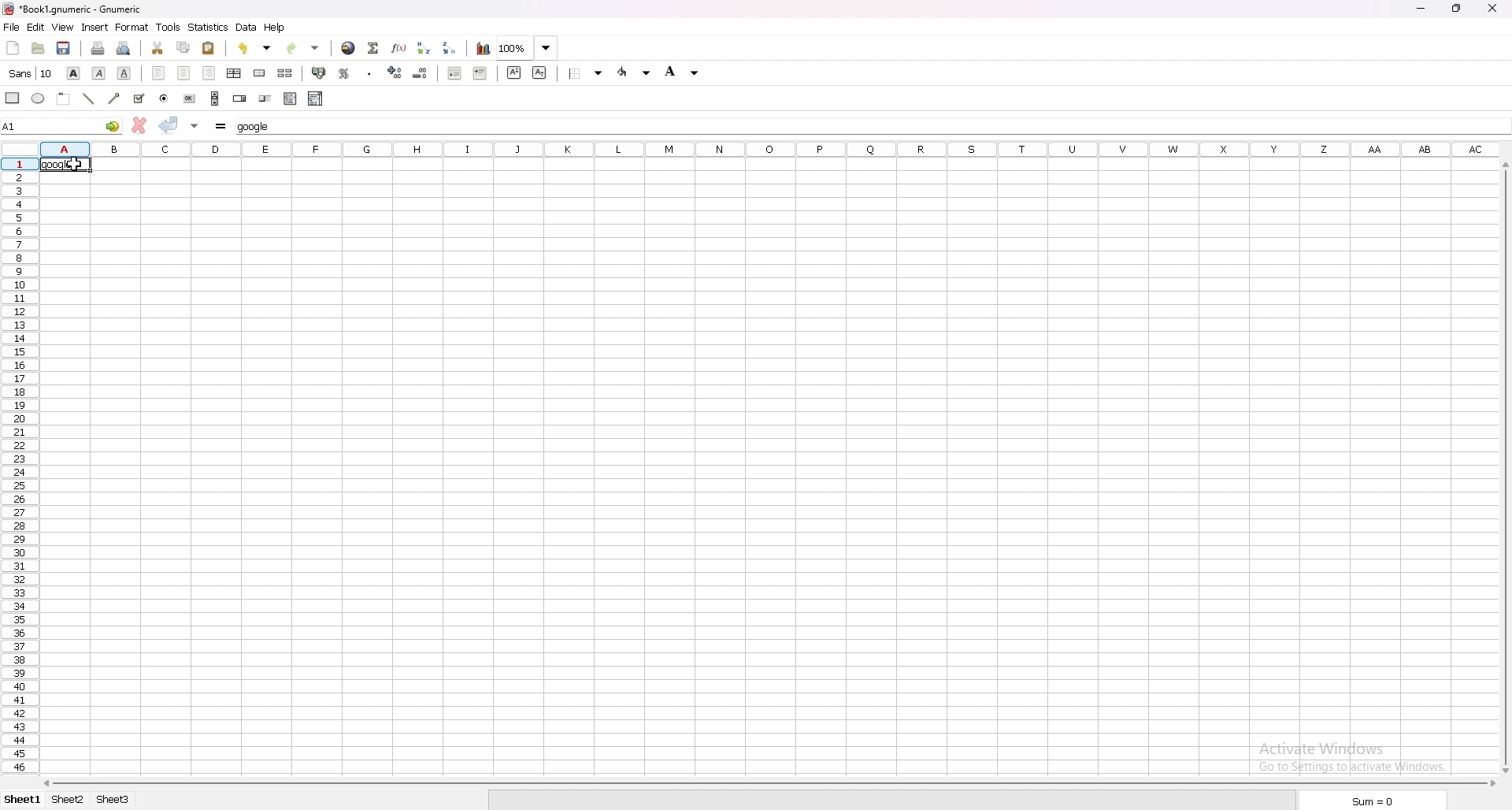 The image size is (1512, 810). What do you see at coordinates (220, 125) in the screenshot?
I see `formula` at bounding box center [220, 125].